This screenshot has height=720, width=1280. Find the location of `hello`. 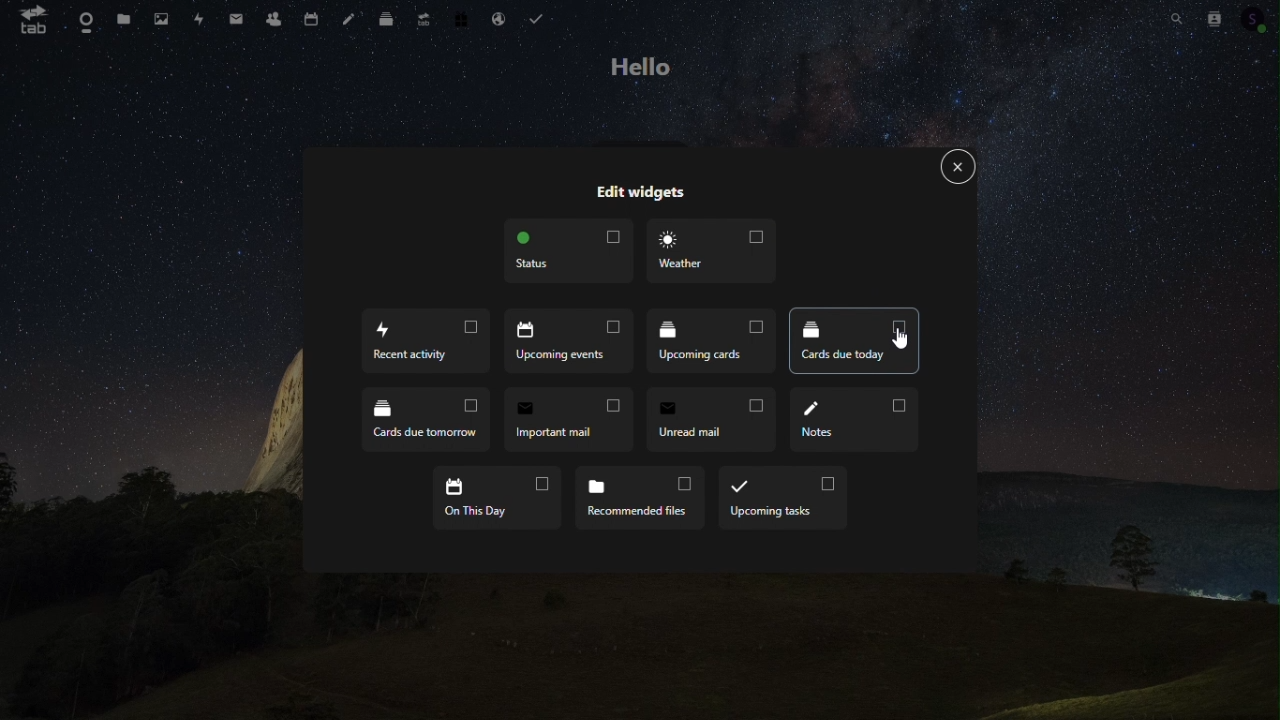

hello is located at coordinates (645, 67).